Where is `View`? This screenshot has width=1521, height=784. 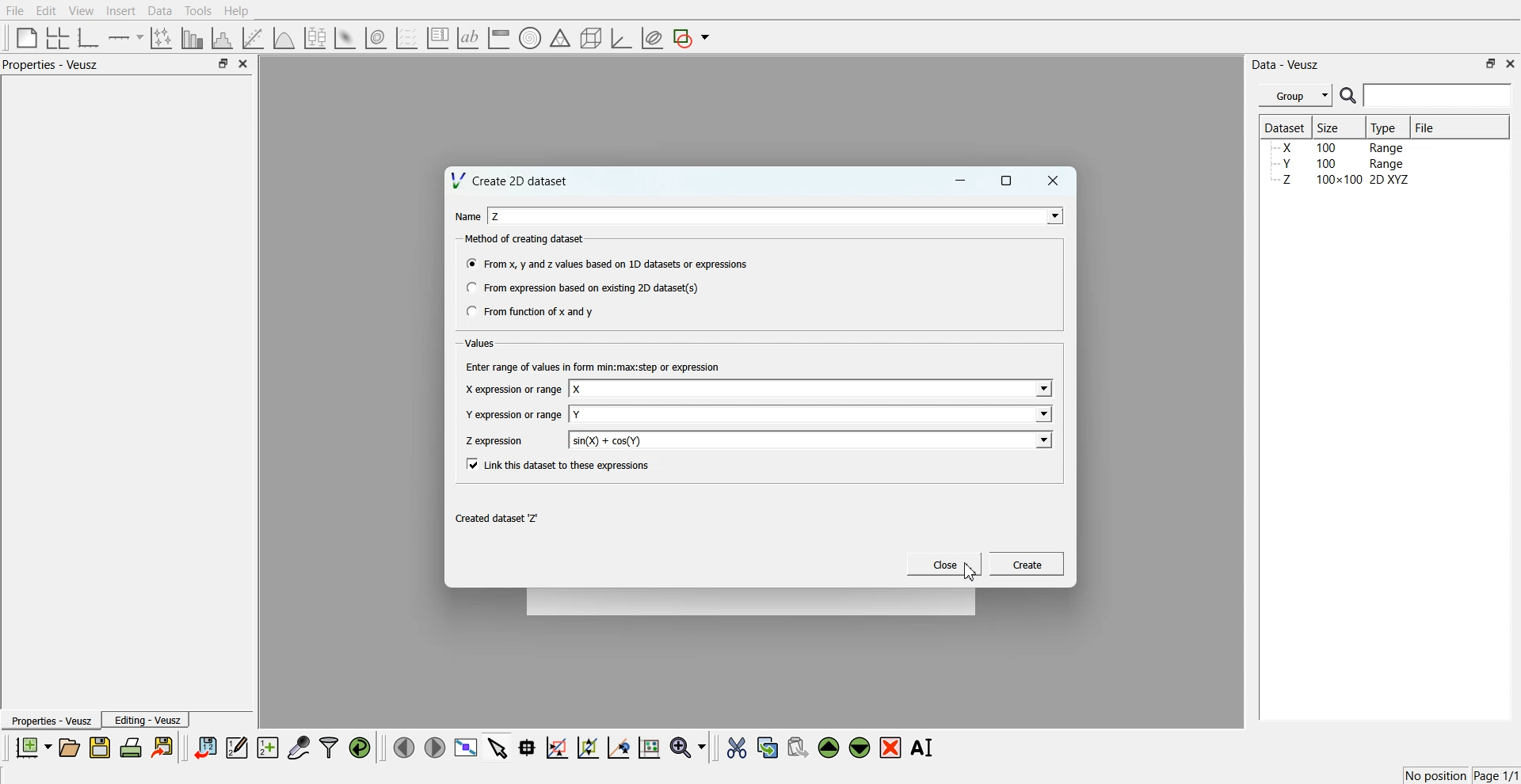 View is located at coordinates (82, 11).